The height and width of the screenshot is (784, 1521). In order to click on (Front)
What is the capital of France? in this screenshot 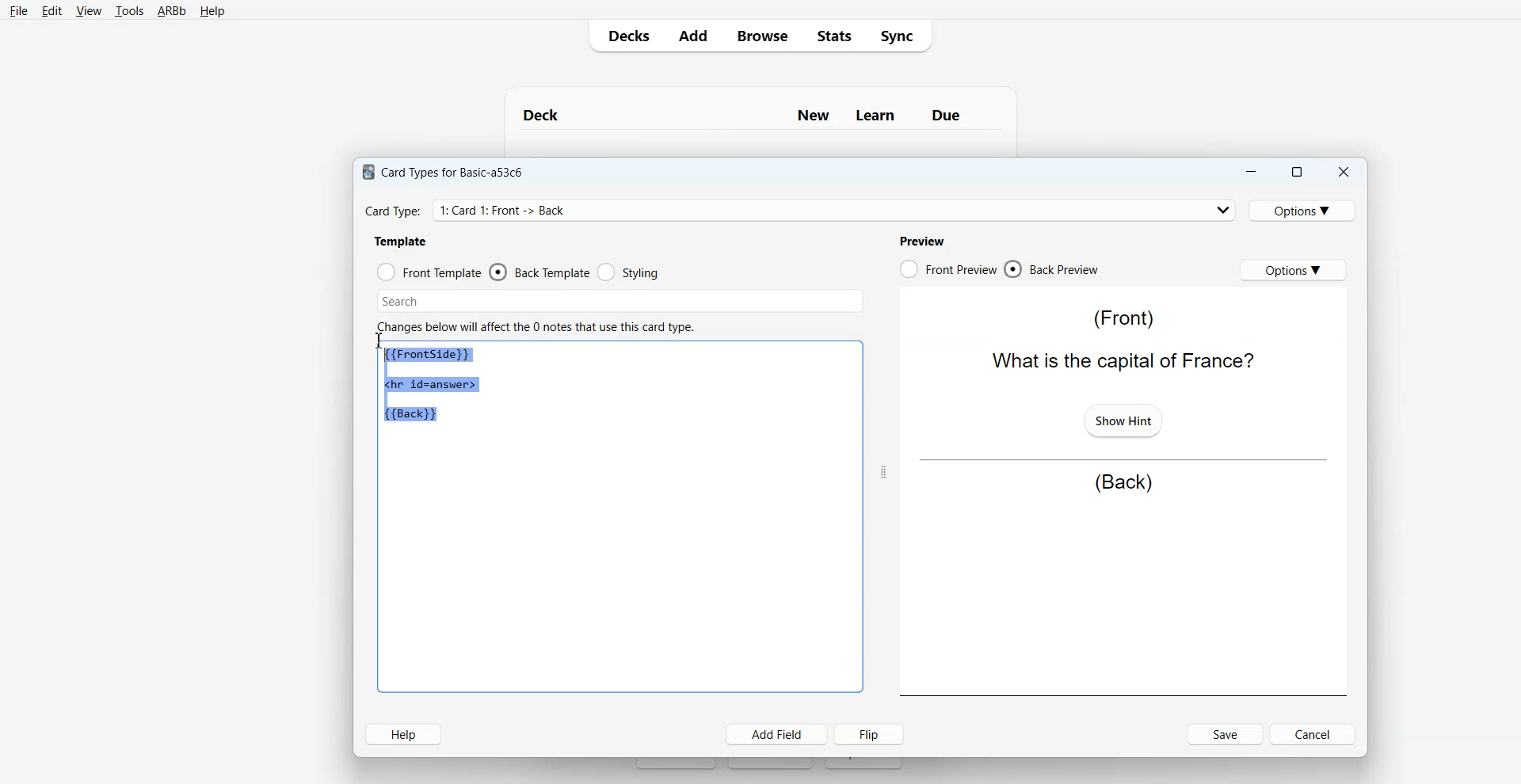, I will do `click(1119, 340)`.